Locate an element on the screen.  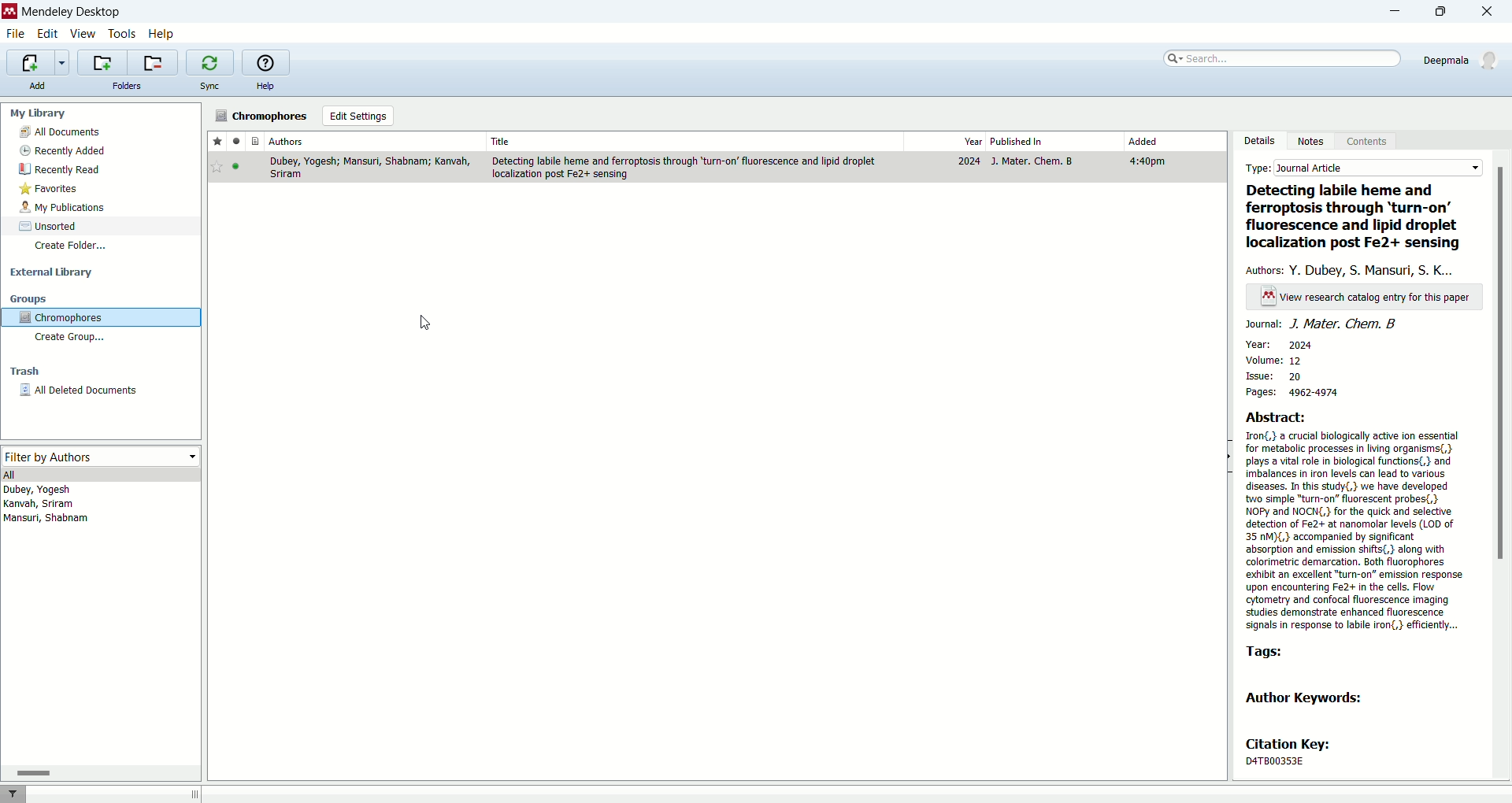
help is located at coordinates (267, 87).